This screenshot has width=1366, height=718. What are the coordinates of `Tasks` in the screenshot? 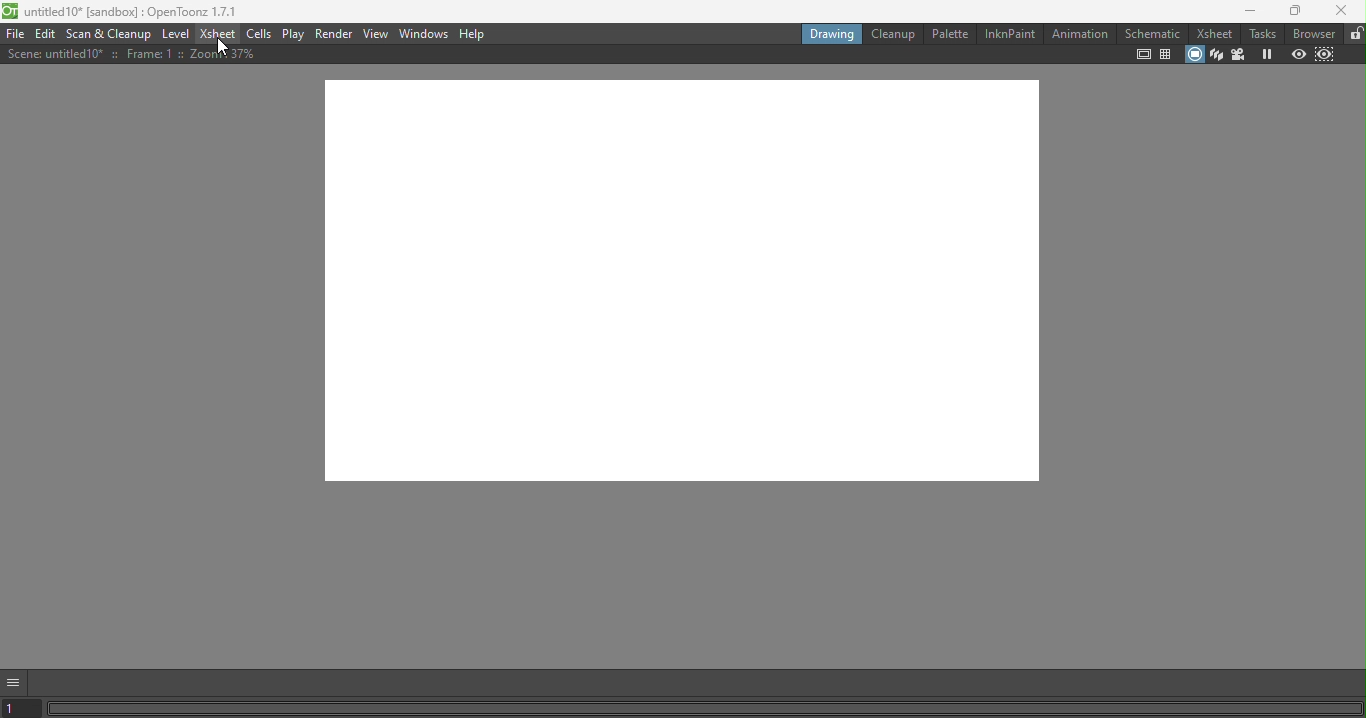 It's located at (1262, 34).